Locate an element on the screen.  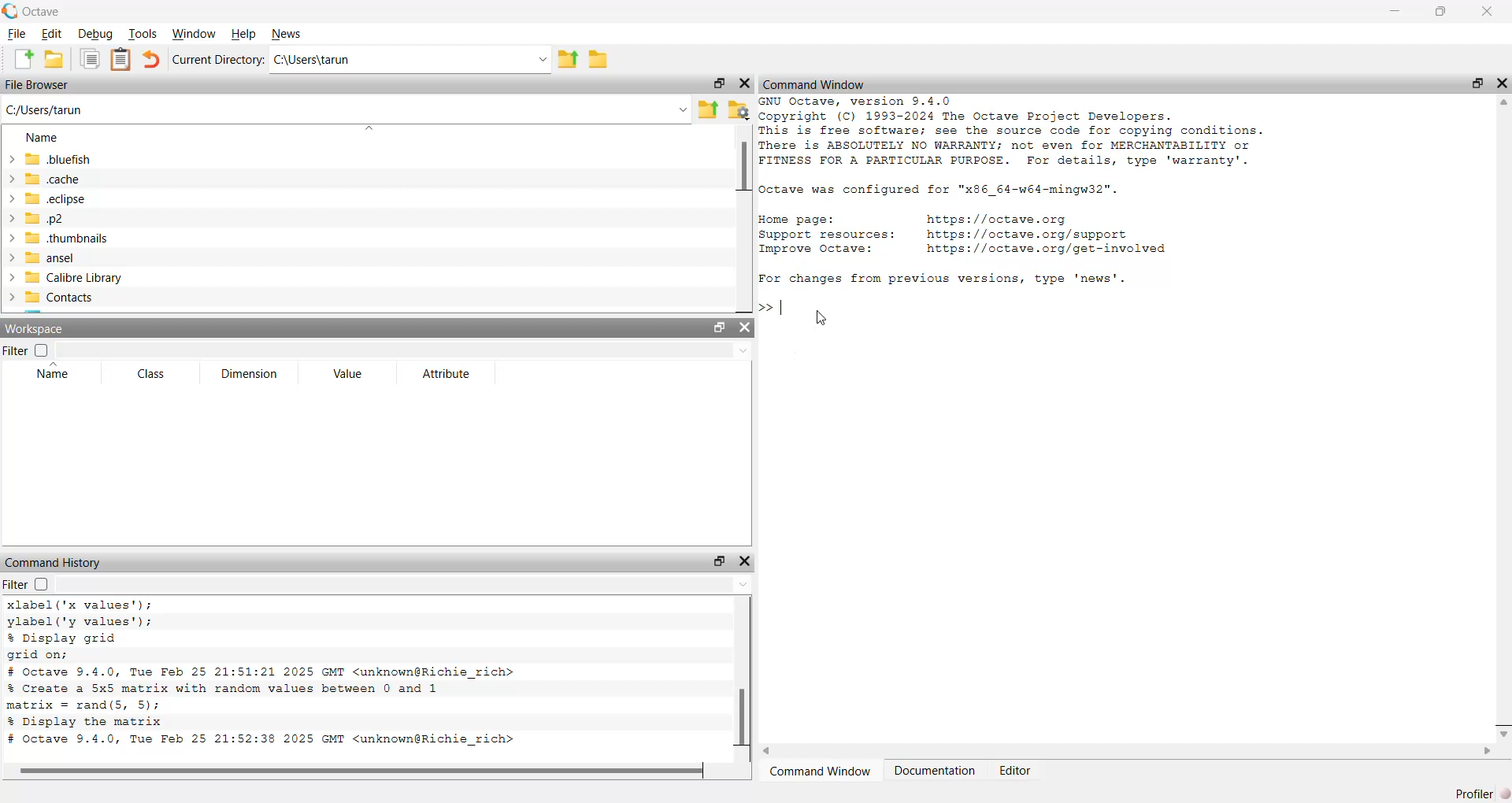
notes is located at coordinates (124, 59).